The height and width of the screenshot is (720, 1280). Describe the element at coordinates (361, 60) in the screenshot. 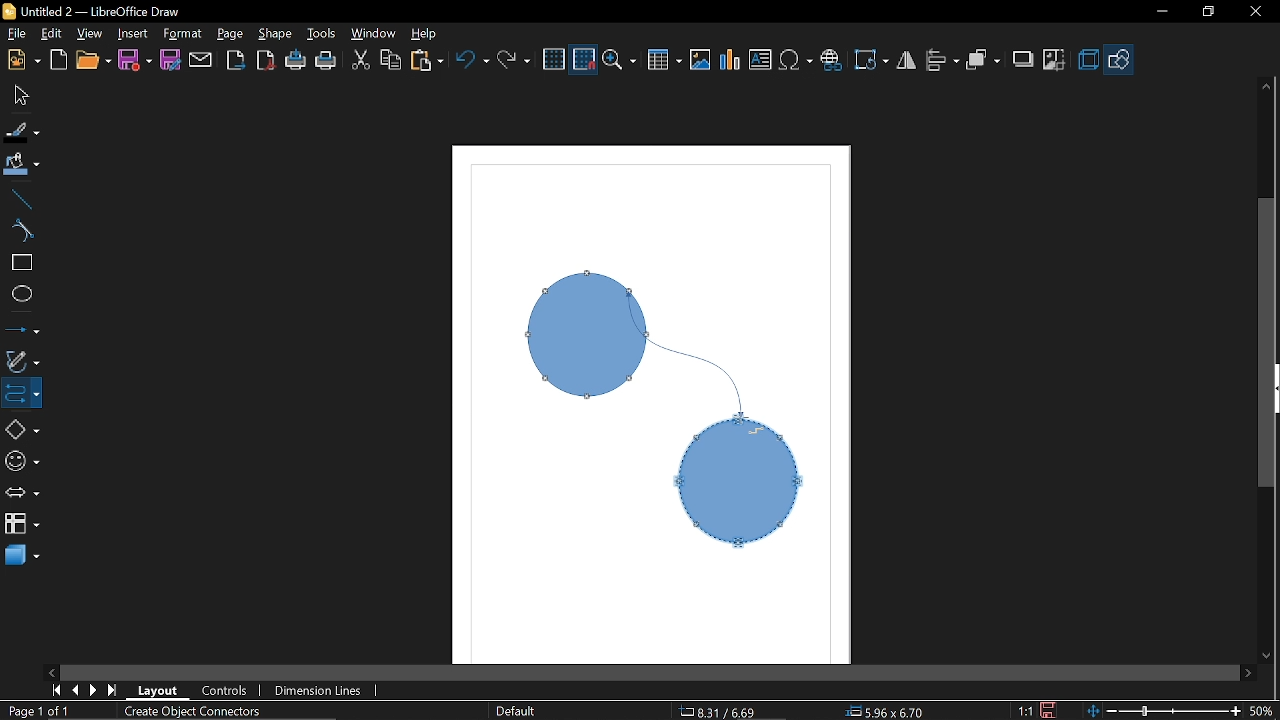

I see `CUt ` at that location.